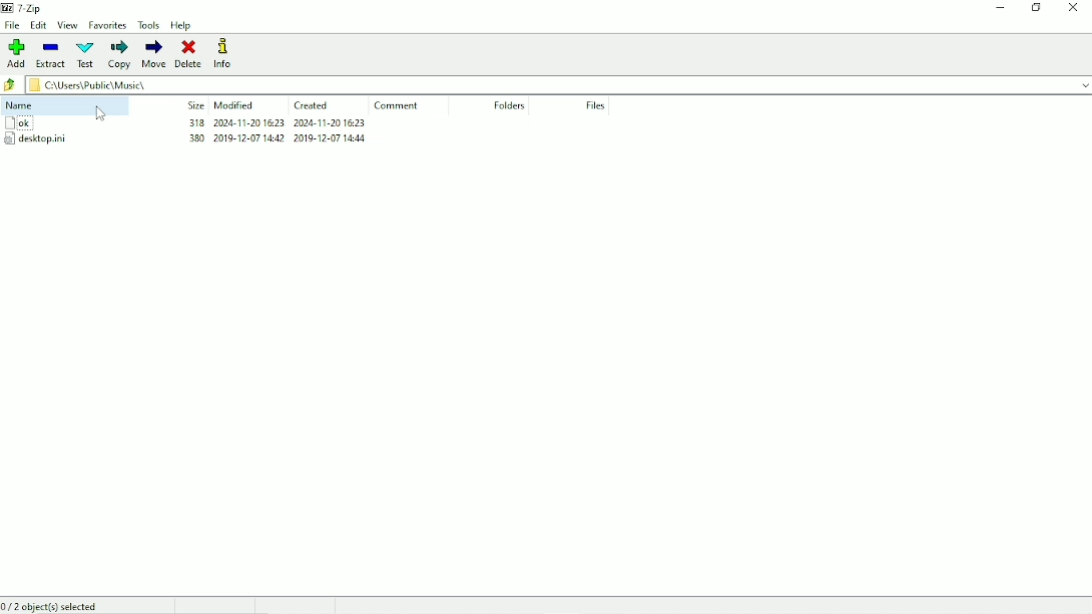 The height and width of the screenshot is (614, 1092). What do you see at coordinates (511, 107) in the screenshot?
I see `Folders` at bounding box center [511, 107].